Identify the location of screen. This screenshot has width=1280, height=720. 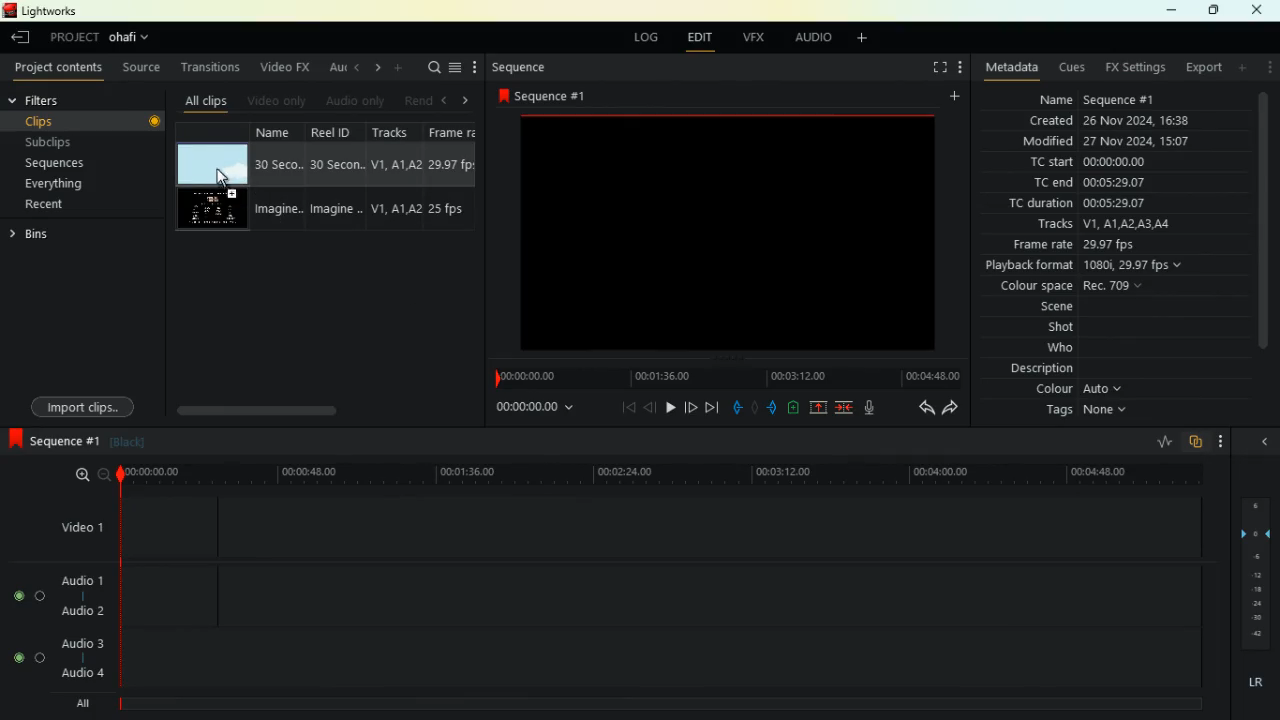
(936, 69).